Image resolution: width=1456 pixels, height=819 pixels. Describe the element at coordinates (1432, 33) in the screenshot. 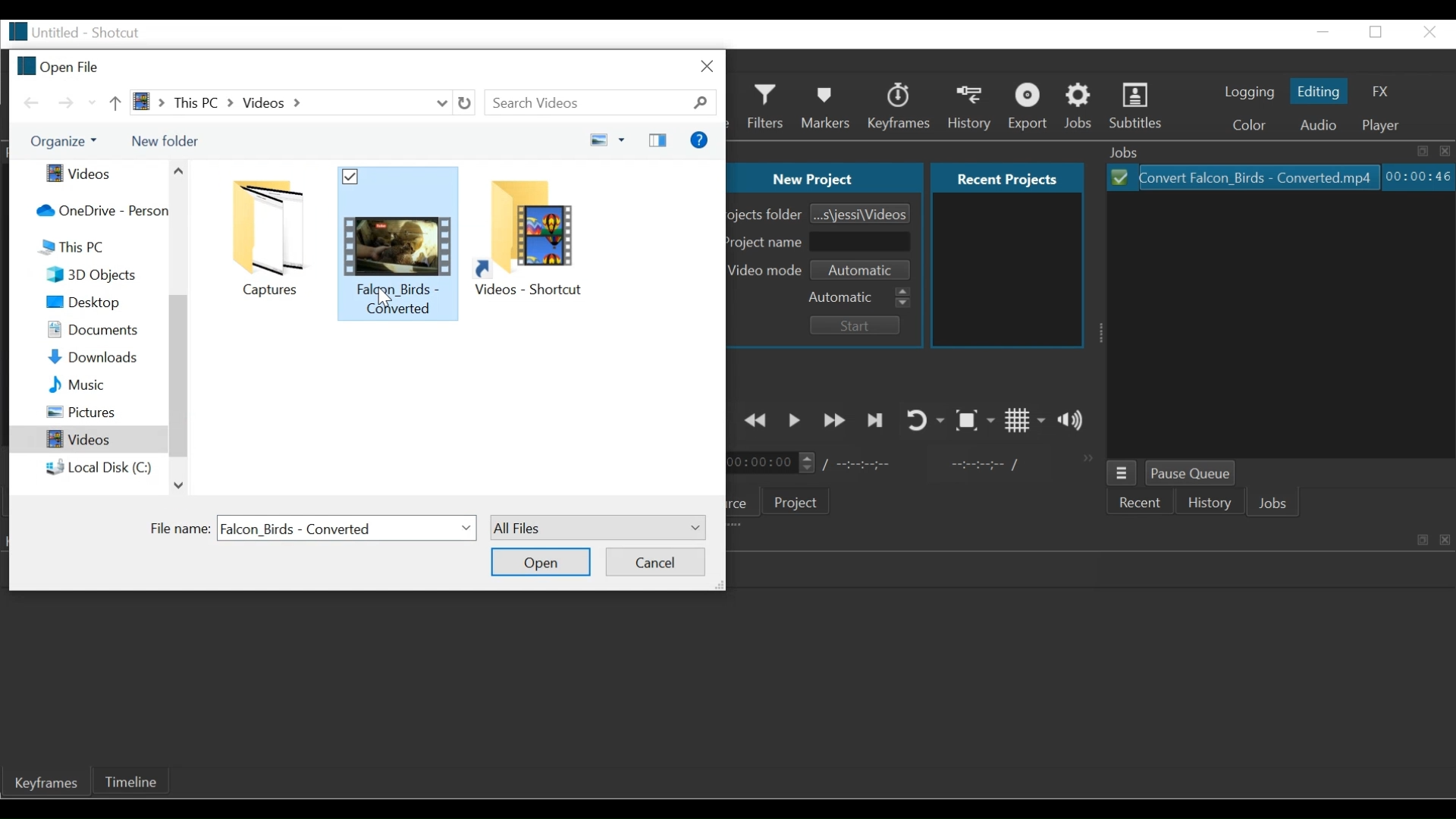

I see `close` at that location.